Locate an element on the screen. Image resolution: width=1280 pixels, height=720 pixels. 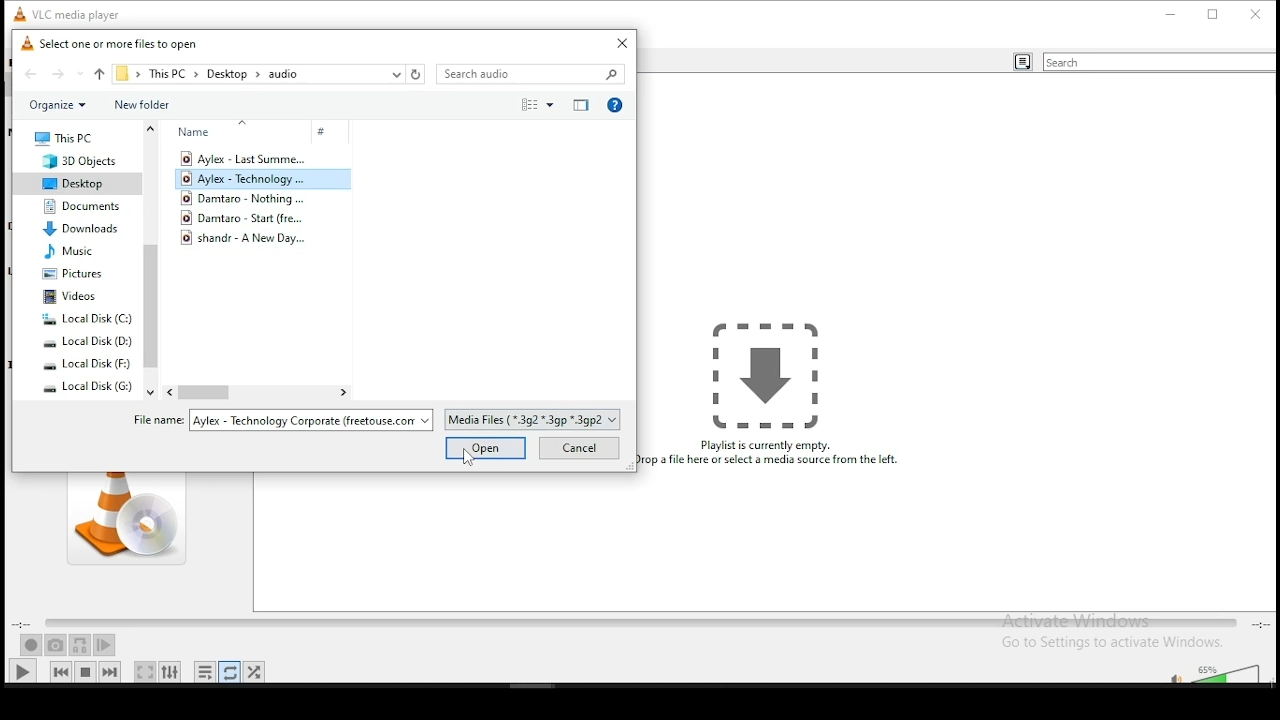
loop between point A to point B continuously is located at coordinates (81, 646).